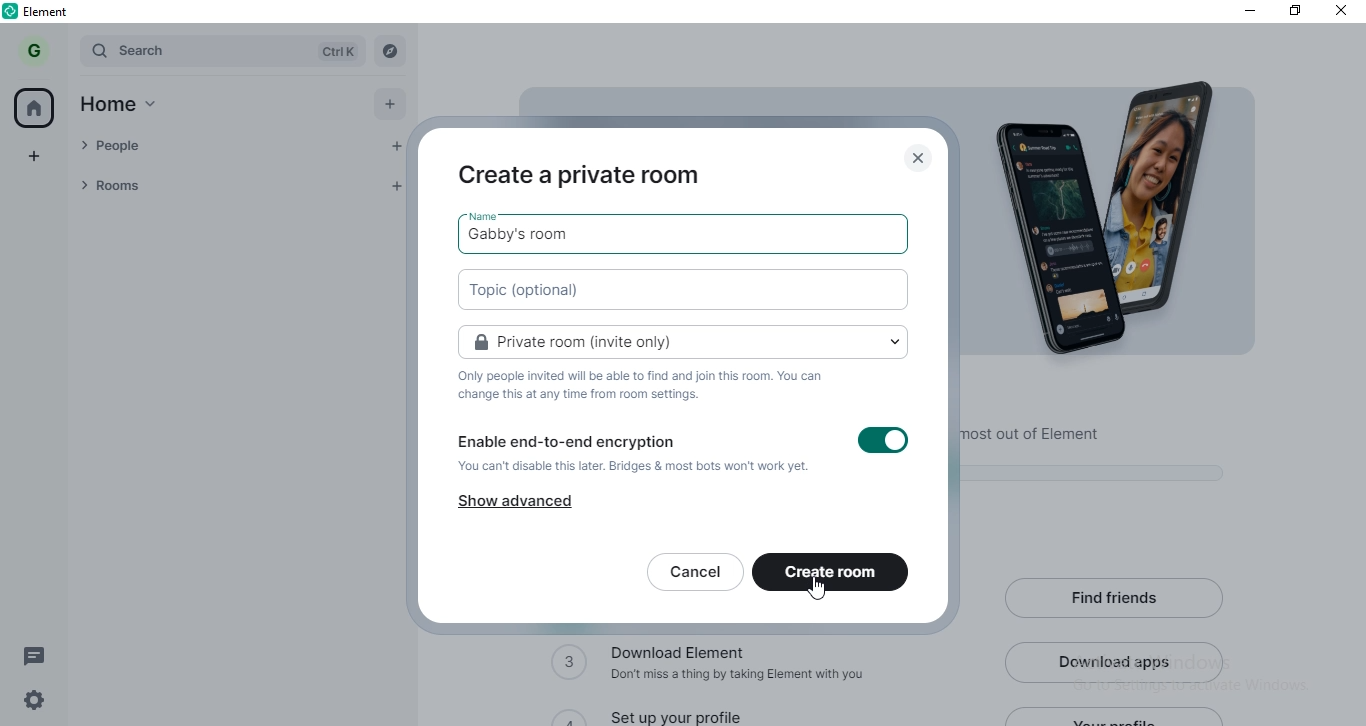 This screenshot has width=1366, height=726. What do you see at coordinates (821, 591) in the screenshot?
I see `cursor` at bounding box center [821, 591].